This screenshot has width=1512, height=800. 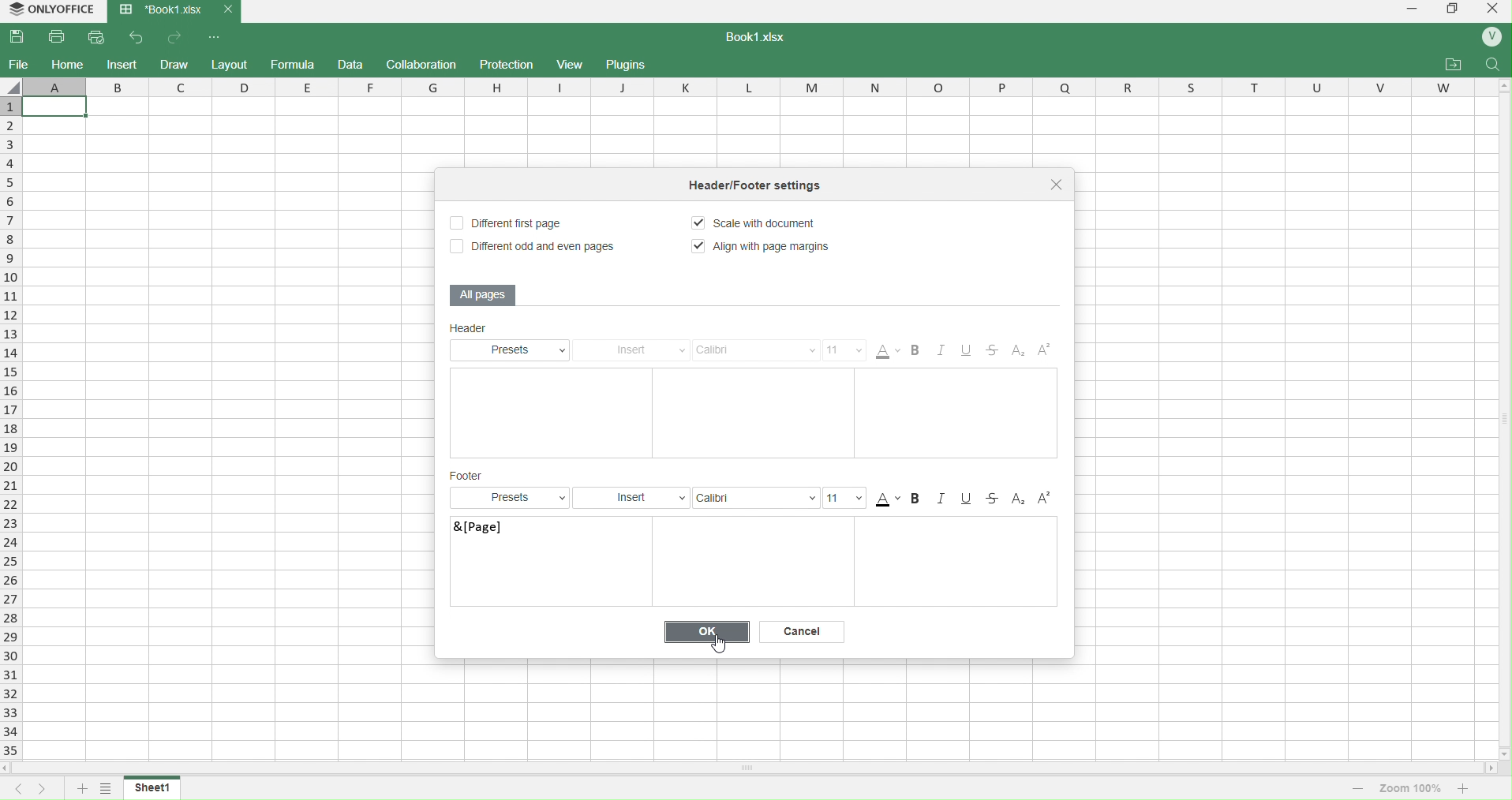 What do you see at coordinates (888, 499) in the screenshot?
I see `Color` at bounding box center [888, 499].